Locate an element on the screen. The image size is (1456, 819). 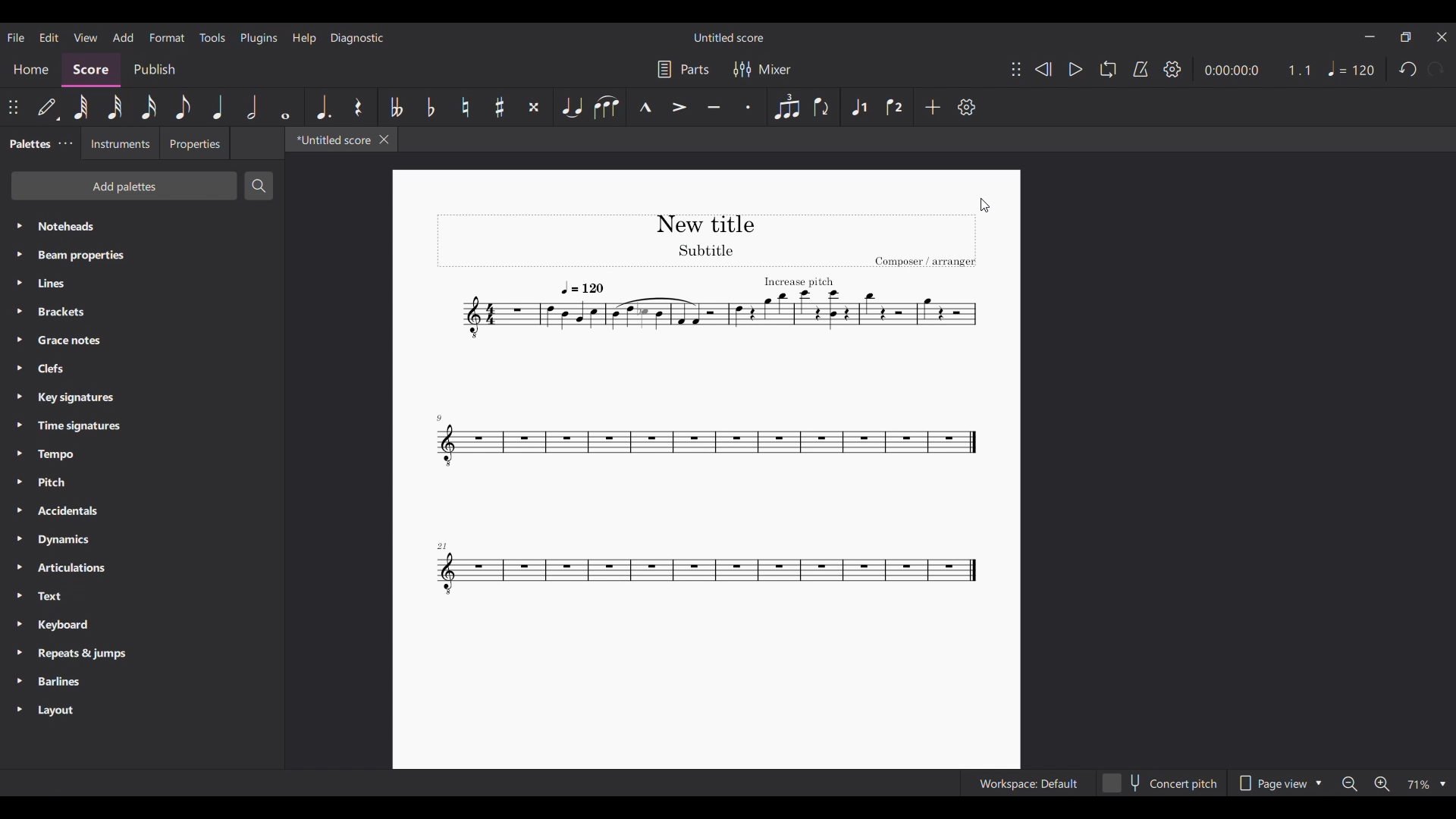
Zoom in is located at coordinates (1382, 783).